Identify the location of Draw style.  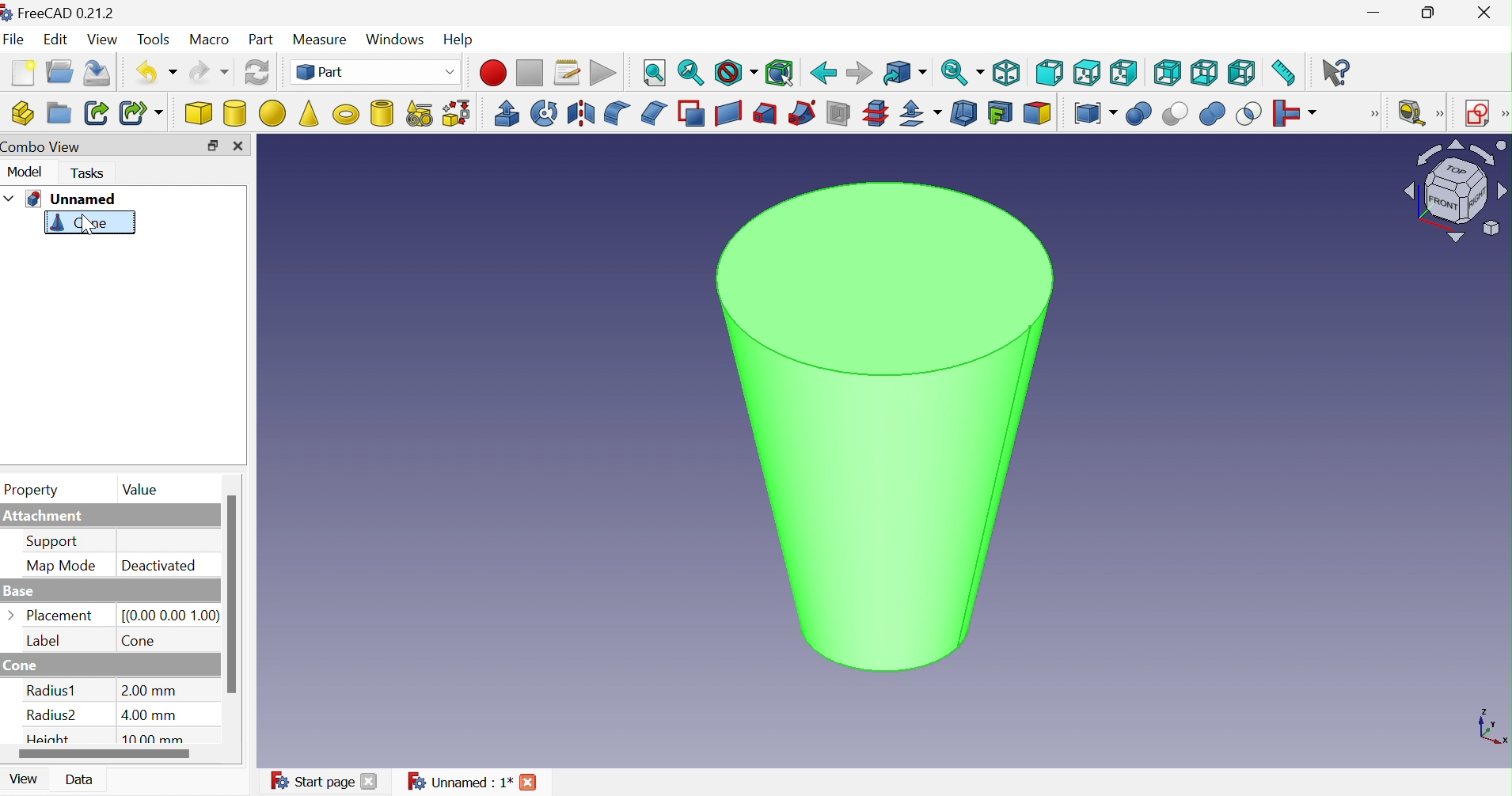
(735, 75).